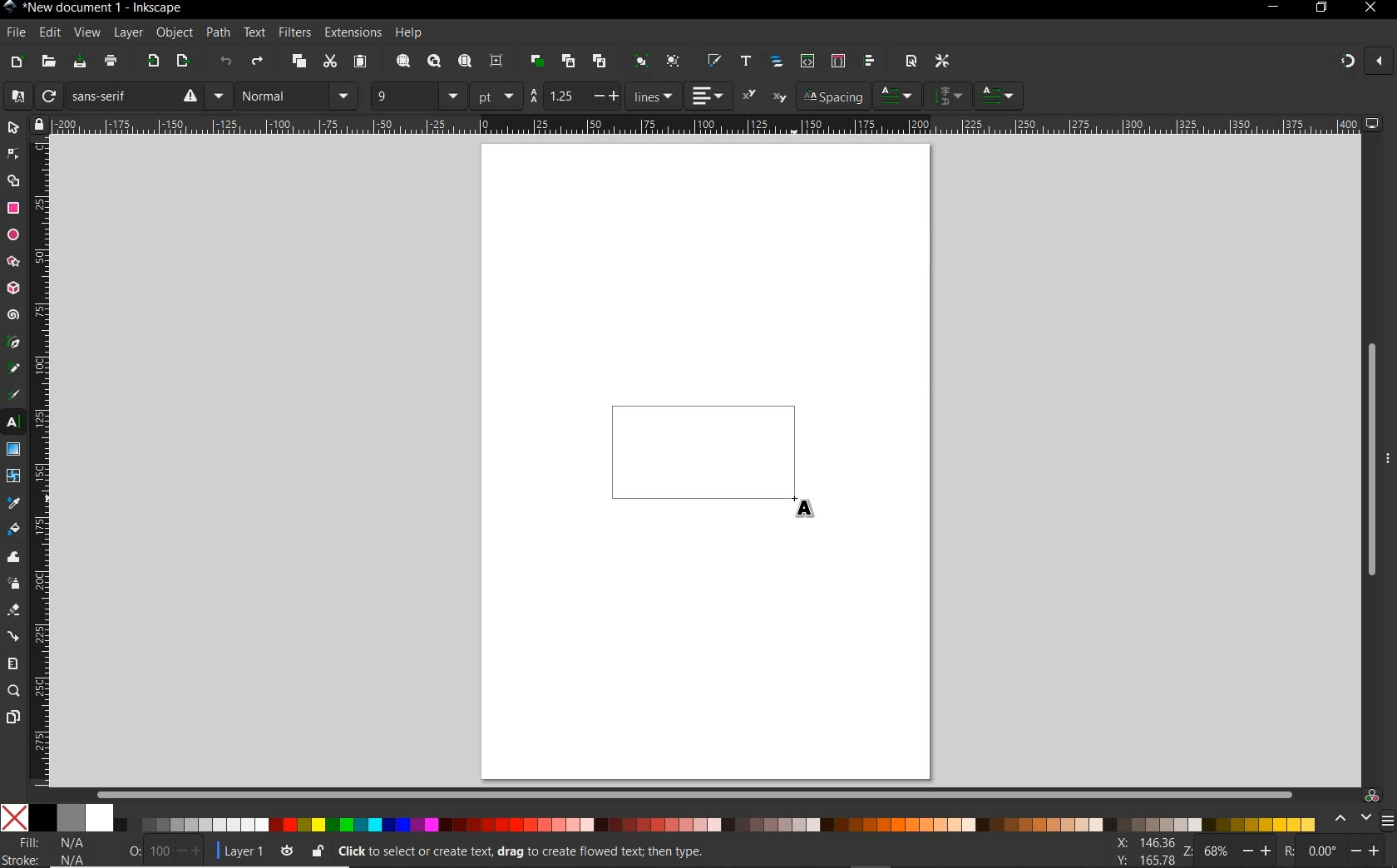  What do you see at coordinates (9, 7) in the screenshot?
I see `logo` at bounding box center [9, 7].